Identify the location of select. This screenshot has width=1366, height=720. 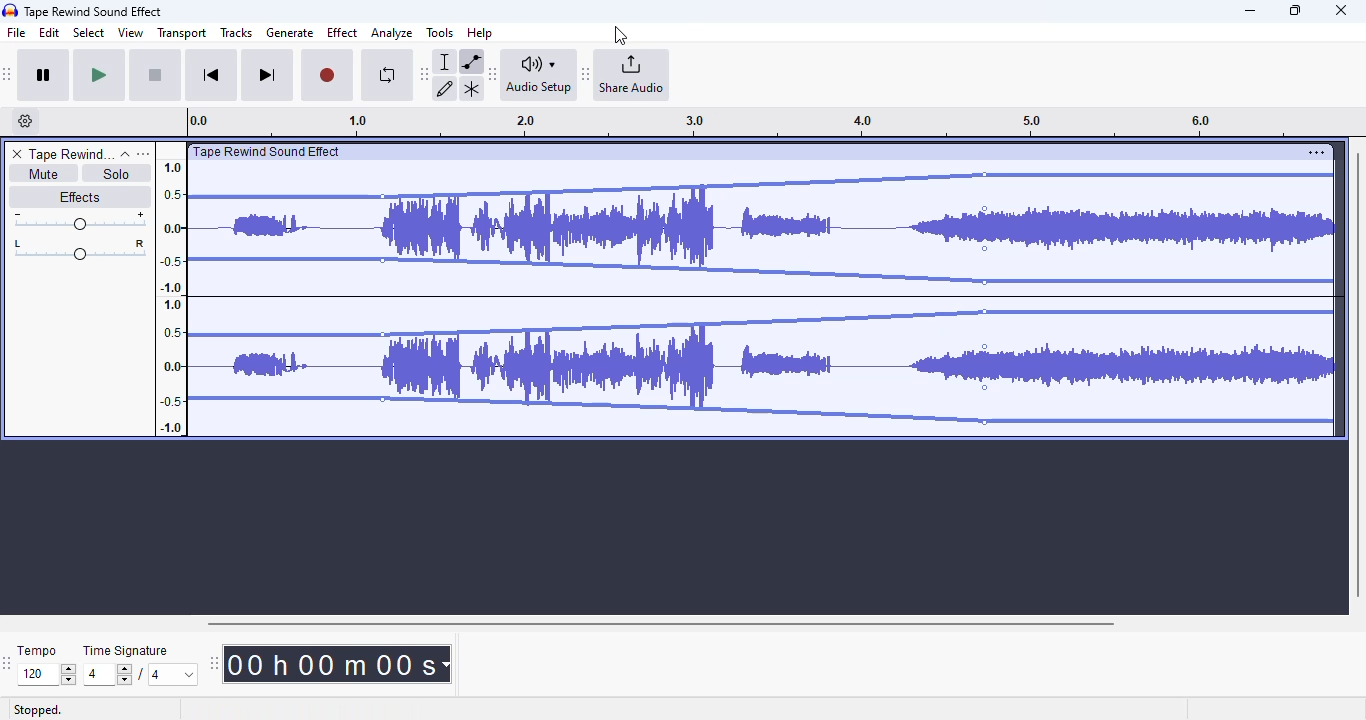
(89, 32).